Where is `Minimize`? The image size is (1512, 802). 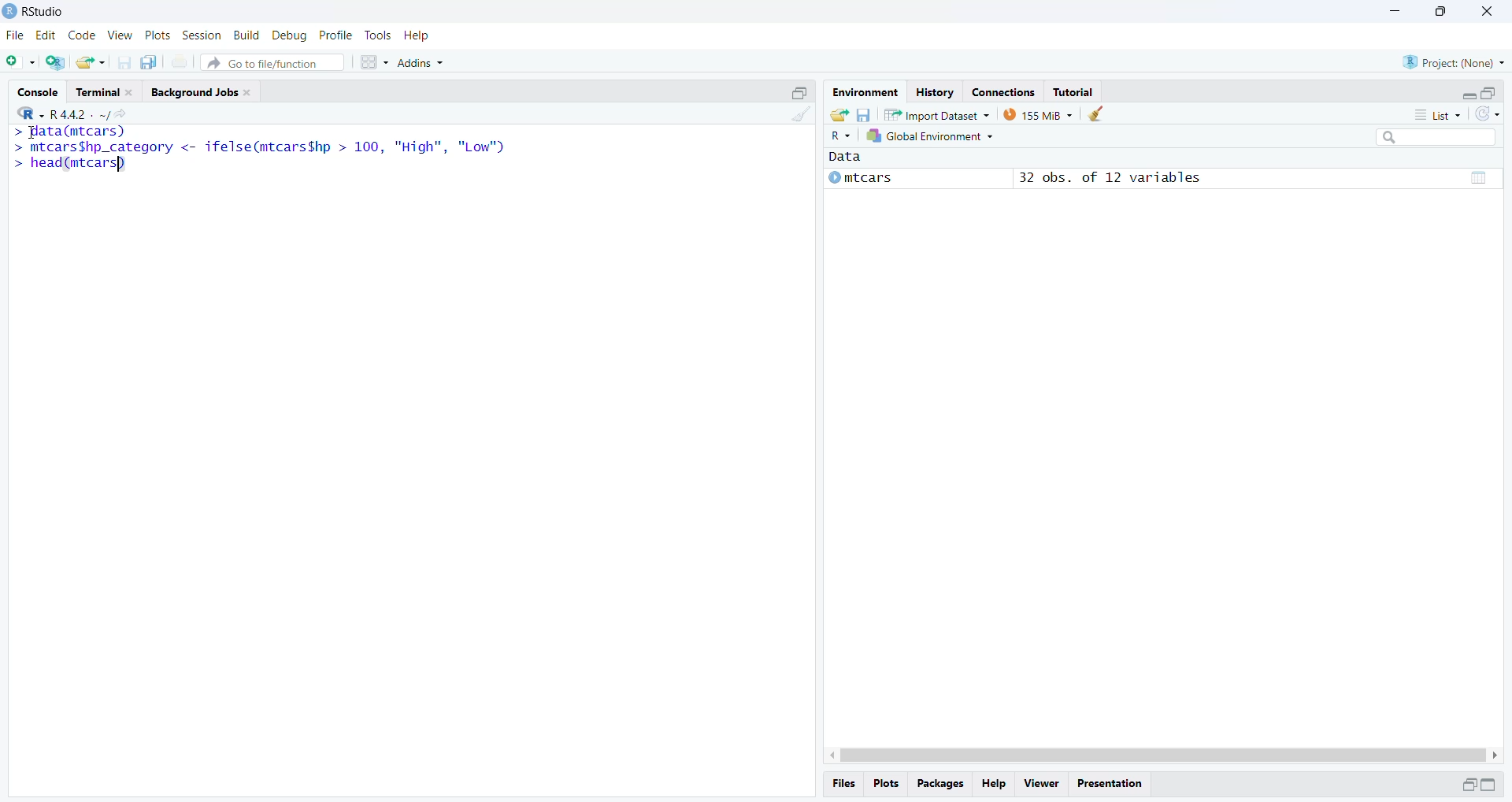 Minimize is located at coordinates (1465, 93).